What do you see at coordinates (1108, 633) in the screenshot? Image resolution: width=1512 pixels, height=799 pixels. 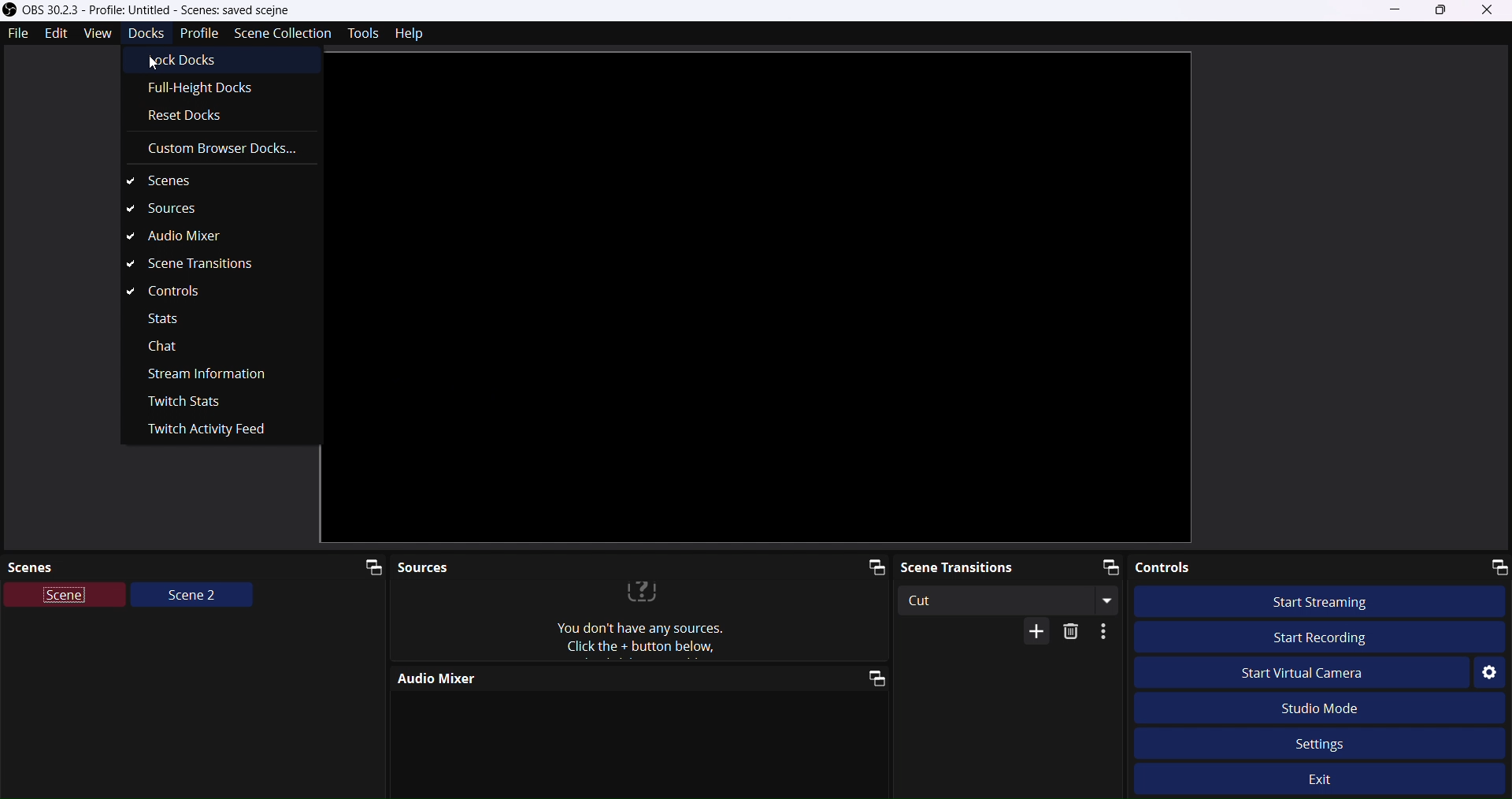 I see `More` at bounding box center [1108, 633].